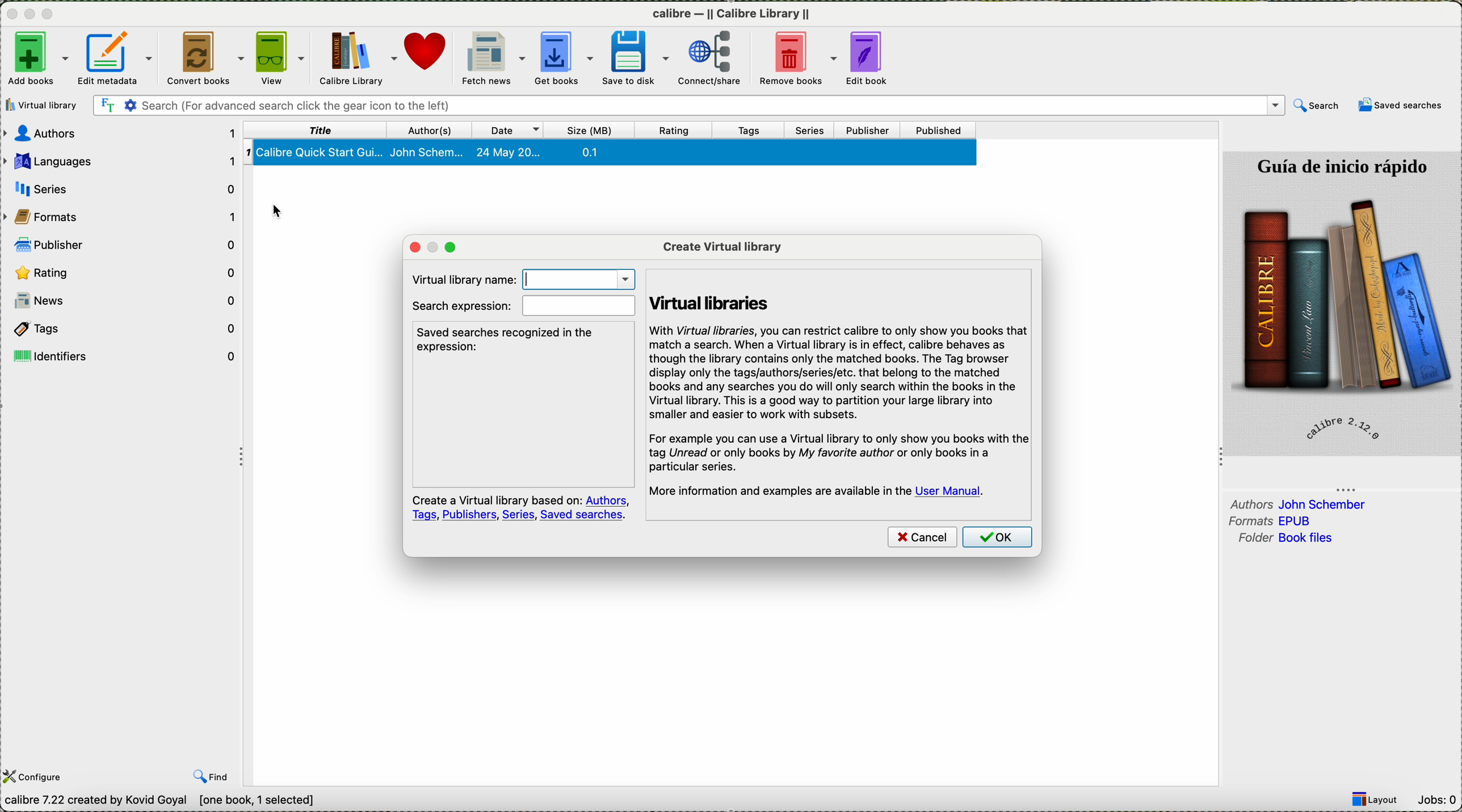 Image resolution: width=1462 pixels, height=812 pixels. I want to click on identifiers, so click(126, 355).